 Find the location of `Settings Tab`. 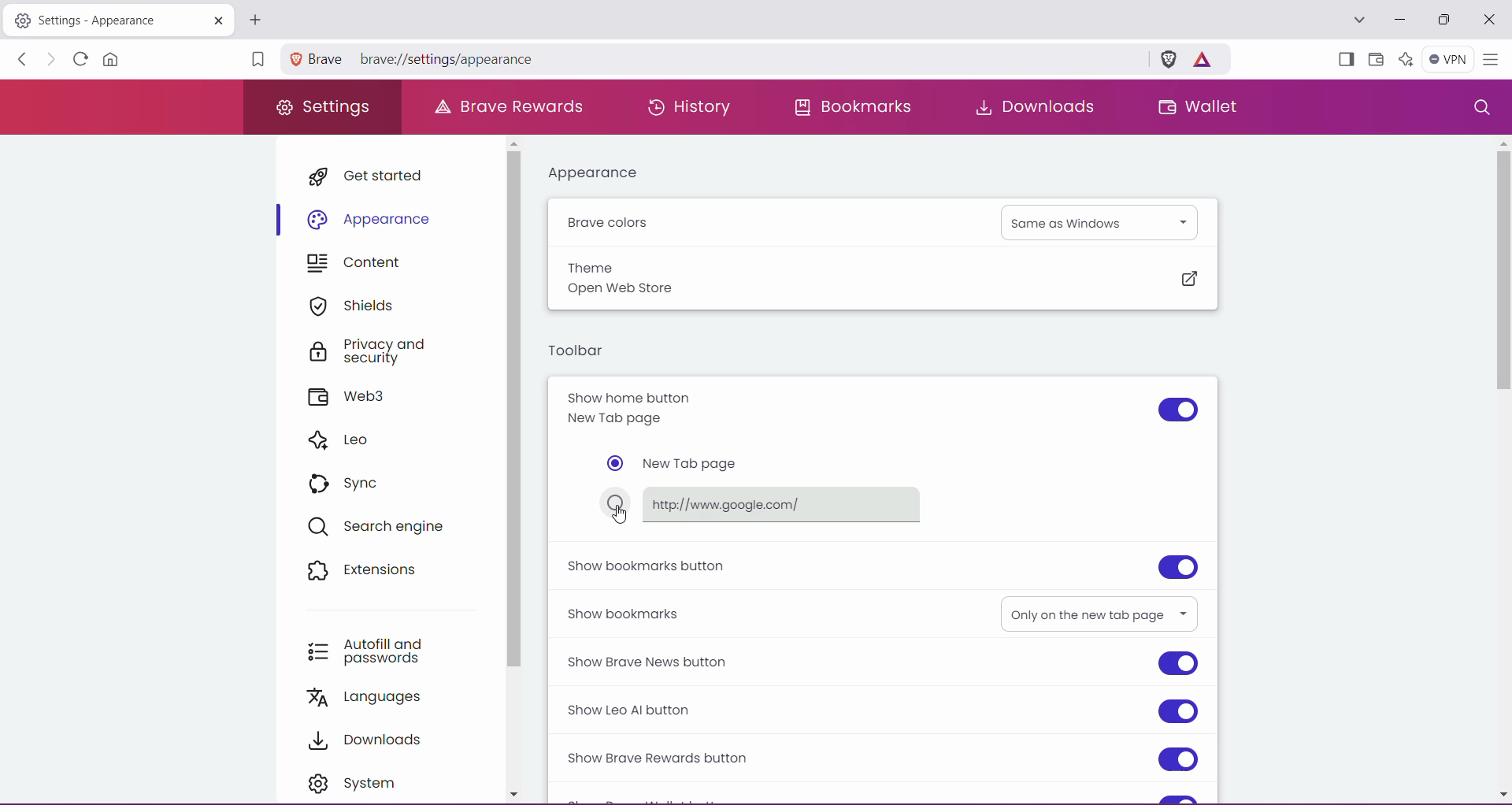

Settings Tab is located at coordinates (94, 20).